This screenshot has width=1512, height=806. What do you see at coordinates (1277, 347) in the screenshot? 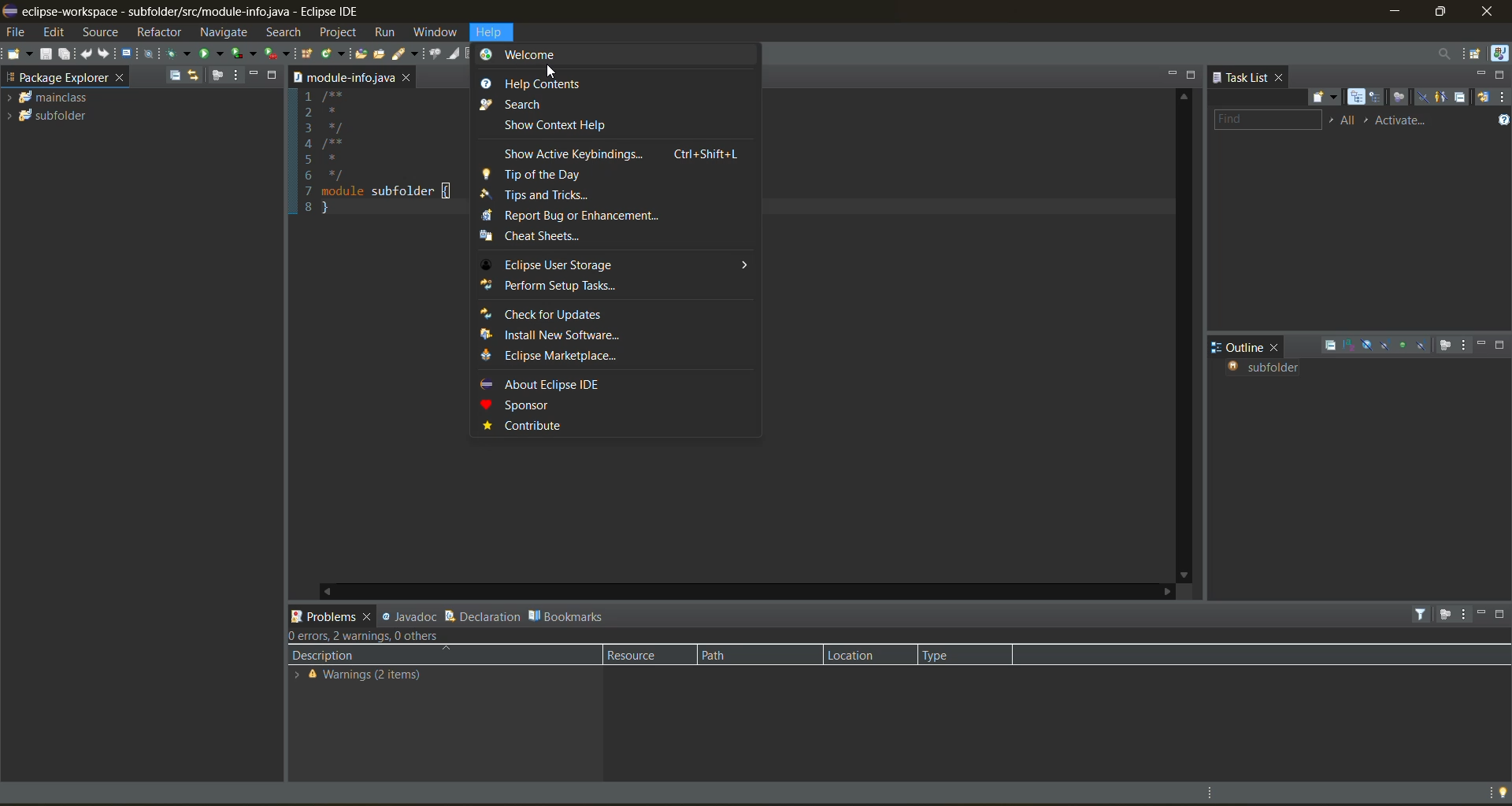
I see `close` at bounding box center [1277, 347].